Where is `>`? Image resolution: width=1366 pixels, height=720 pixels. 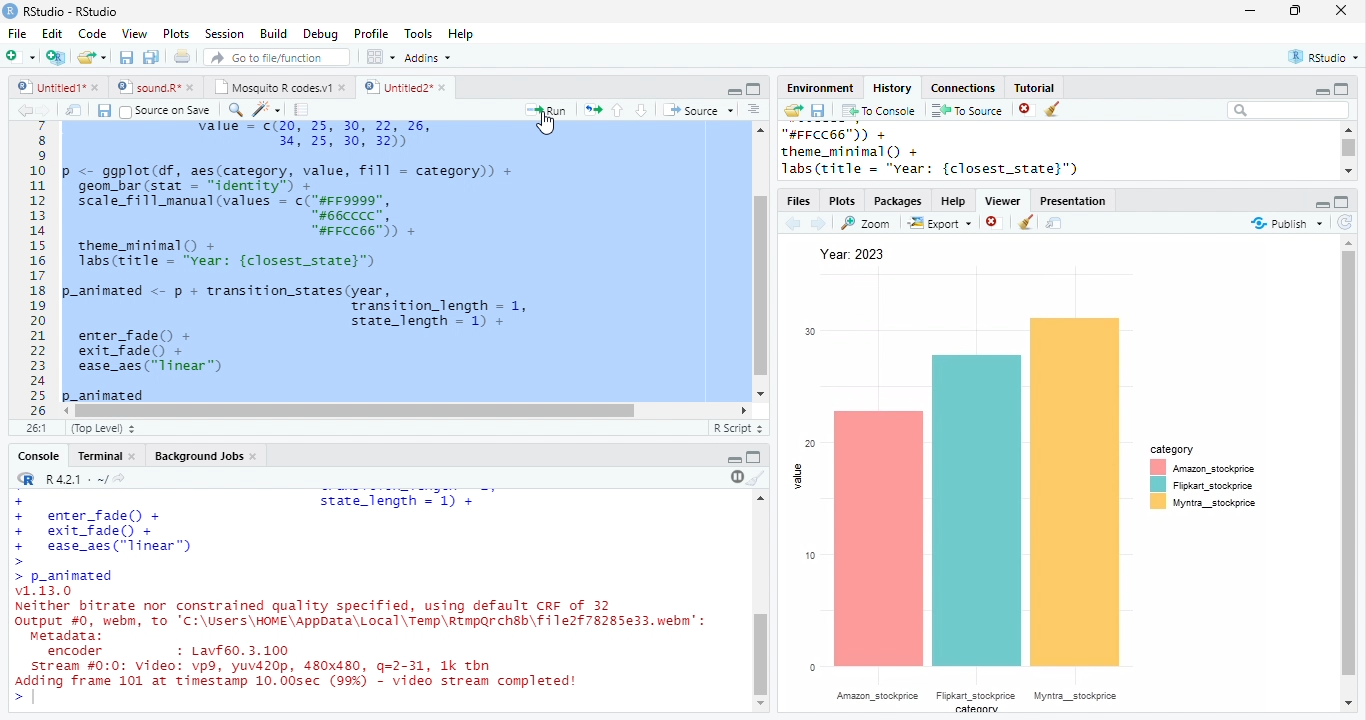
> is located at coordinates (22, 697).